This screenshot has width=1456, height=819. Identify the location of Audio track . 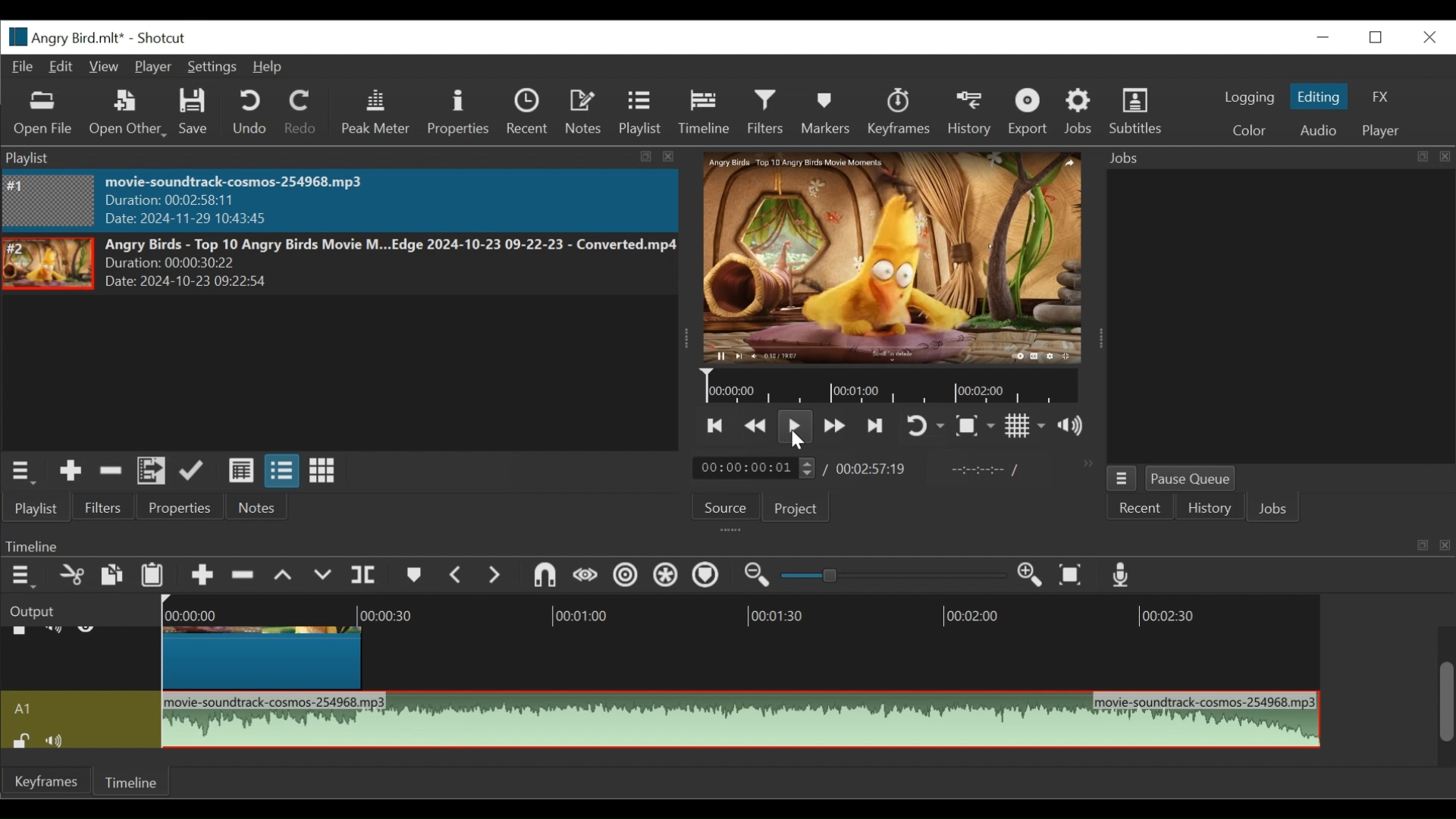
(81, 708).